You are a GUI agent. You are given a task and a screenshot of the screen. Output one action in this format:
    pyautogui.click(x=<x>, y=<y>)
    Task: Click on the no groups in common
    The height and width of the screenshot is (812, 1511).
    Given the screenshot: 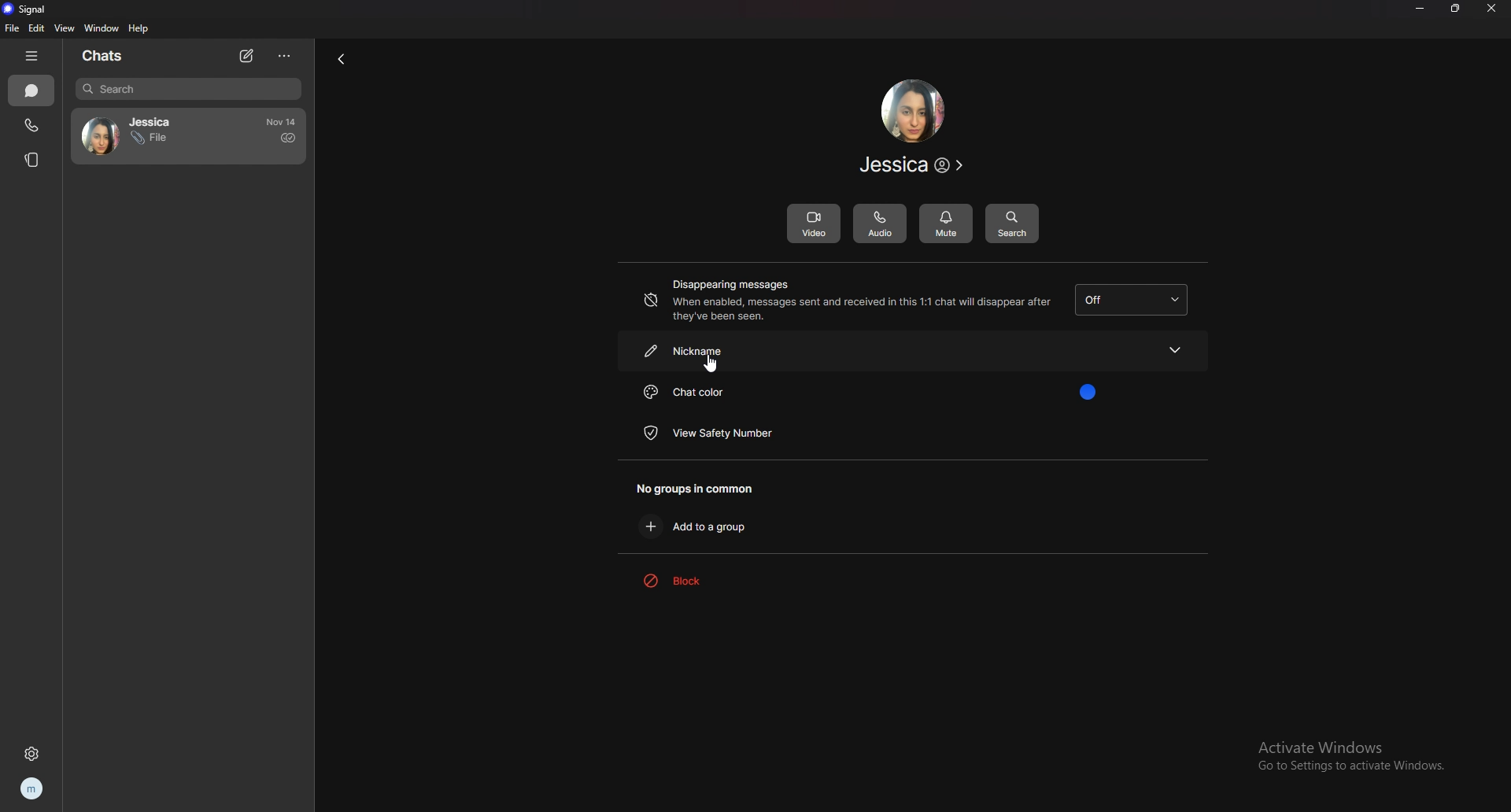 What is the action you would take?
    pyautogui.click(x=704, y=487)
    